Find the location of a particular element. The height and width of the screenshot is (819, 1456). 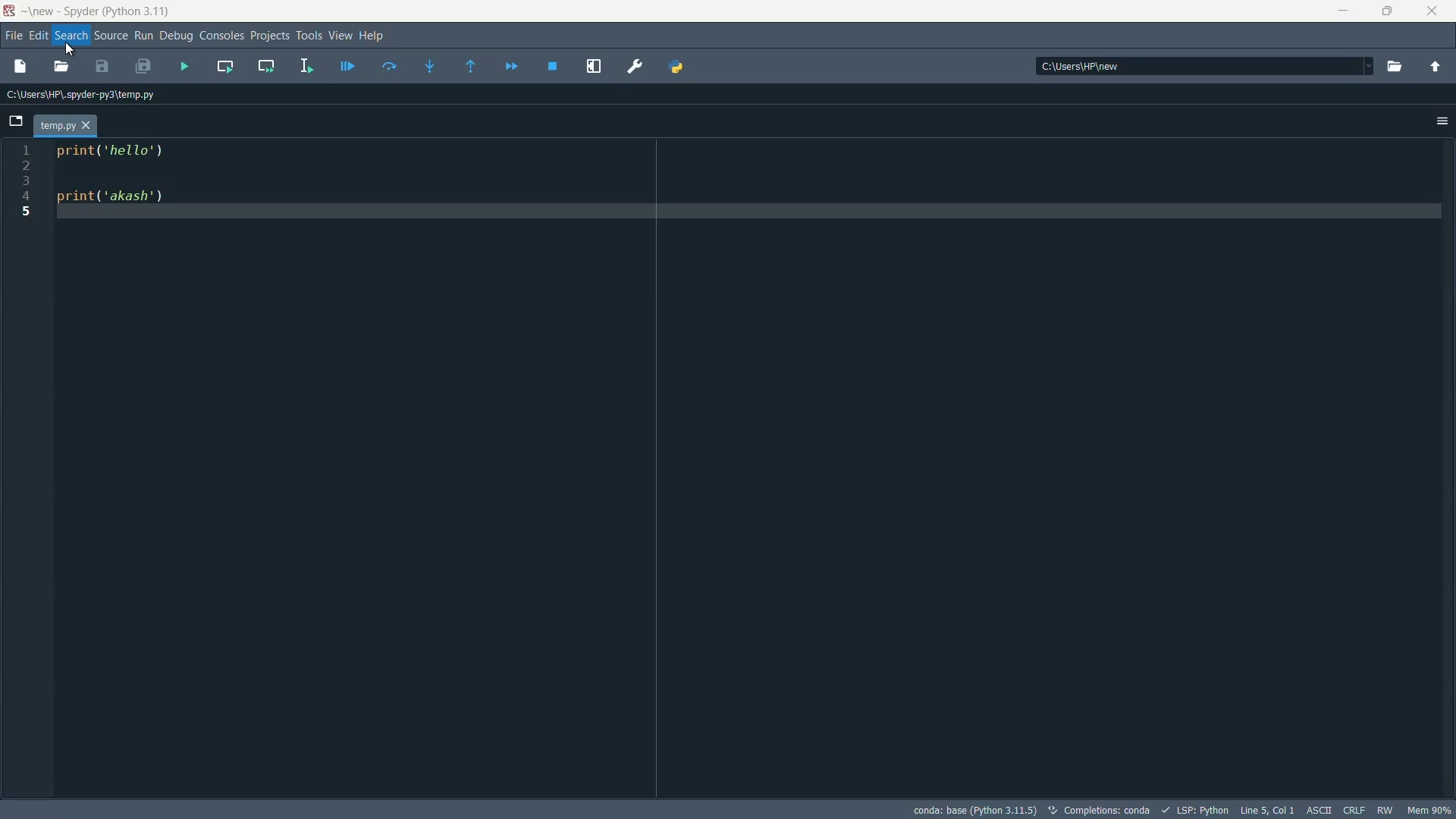

run file is located at coordinates (184, 67).